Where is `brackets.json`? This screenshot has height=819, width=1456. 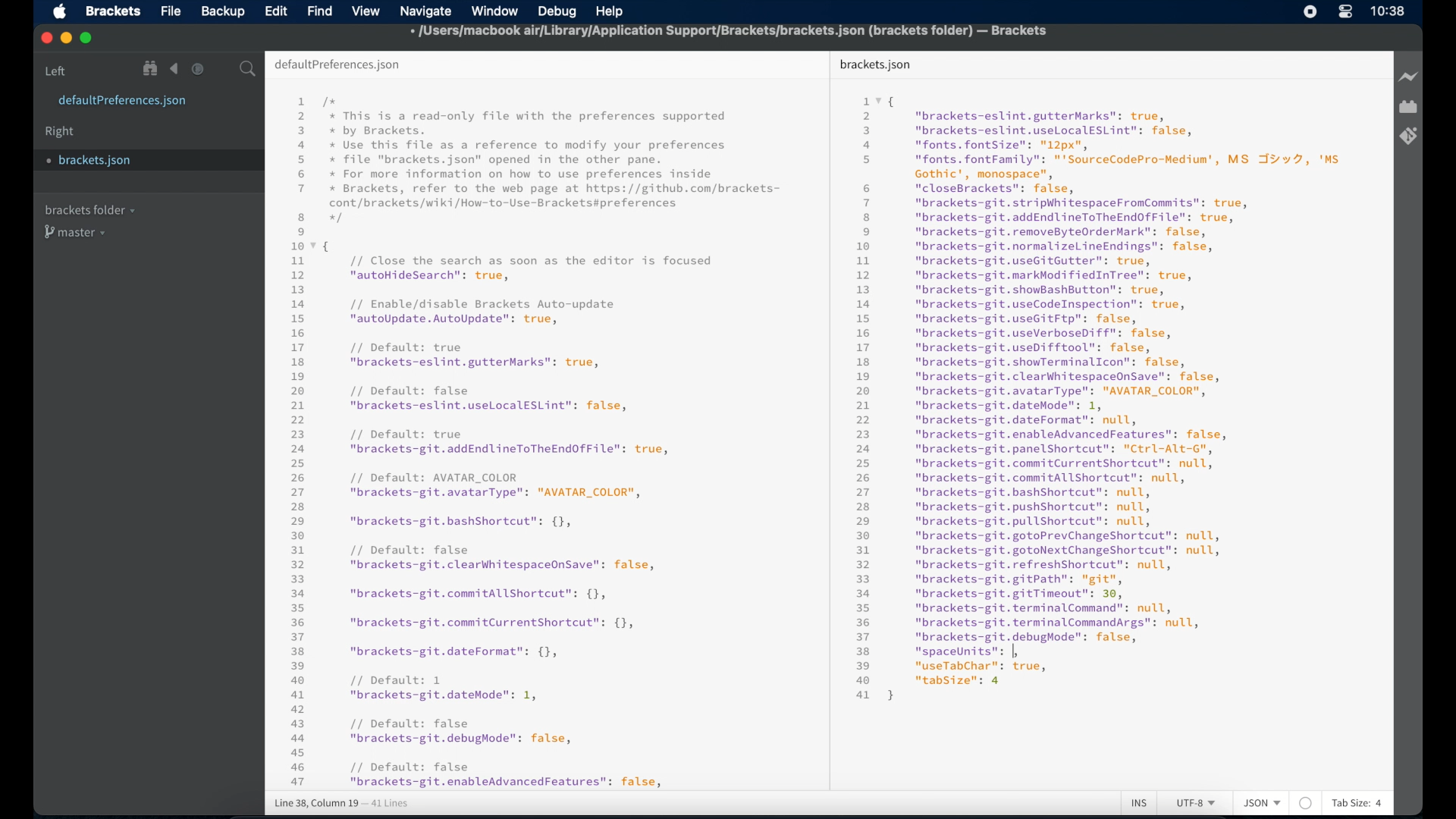 brackets.json is located at coordinates (875, 65).